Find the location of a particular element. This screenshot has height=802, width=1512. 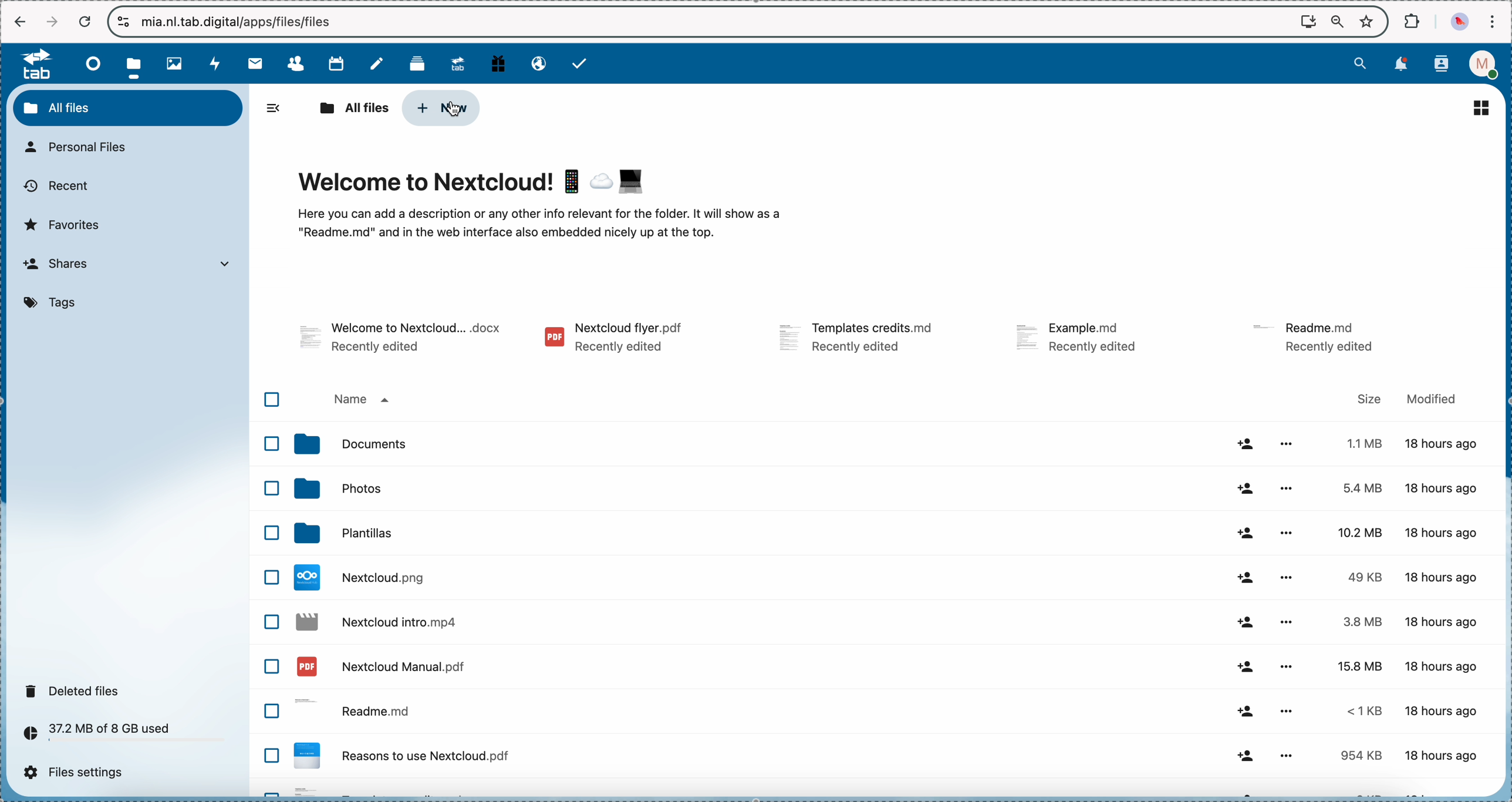

cancel is located at coordinates (84, 22).